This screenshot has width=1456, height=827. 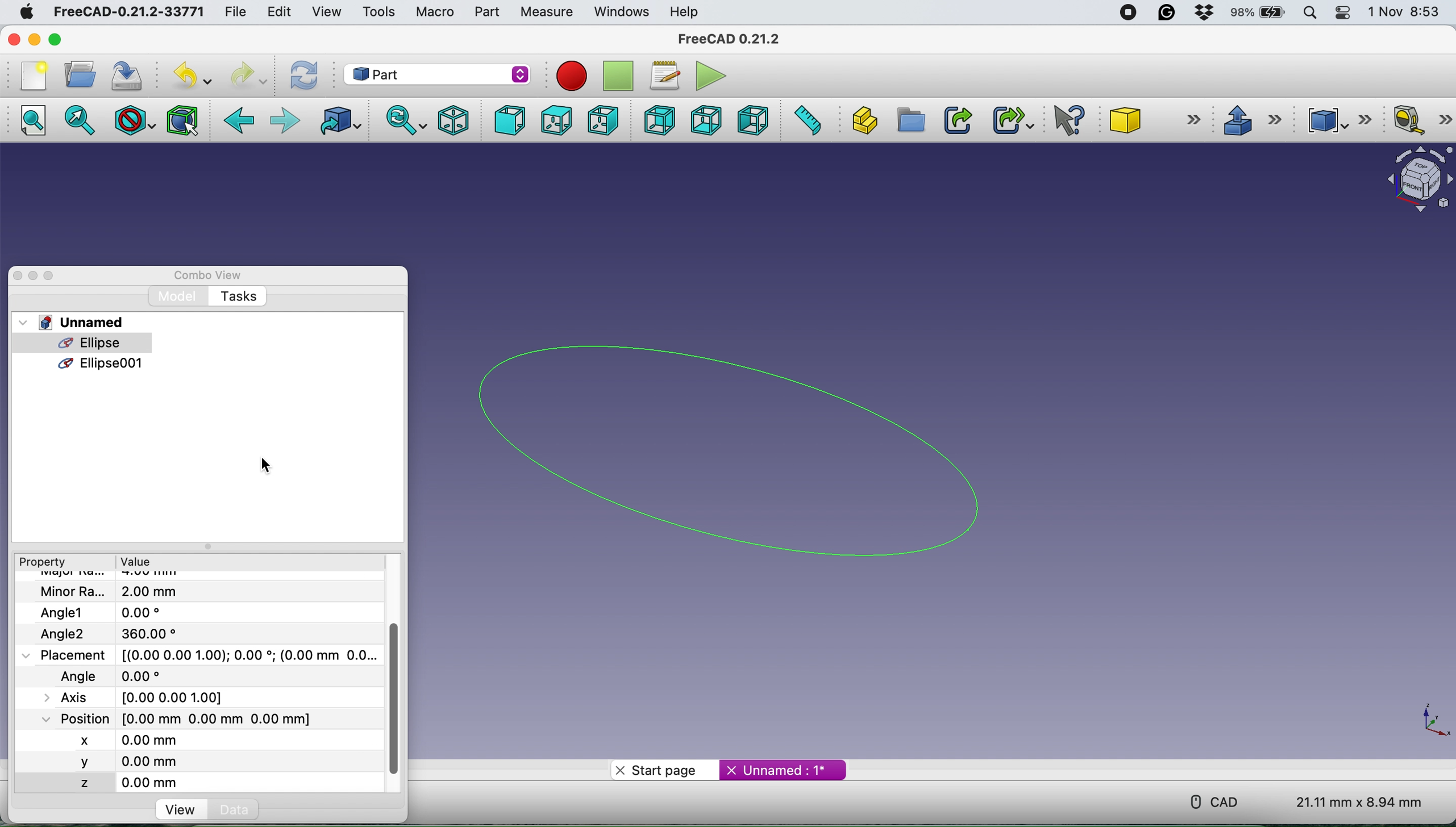 I want to click on spotlight search, so click(x=1311, y=14).